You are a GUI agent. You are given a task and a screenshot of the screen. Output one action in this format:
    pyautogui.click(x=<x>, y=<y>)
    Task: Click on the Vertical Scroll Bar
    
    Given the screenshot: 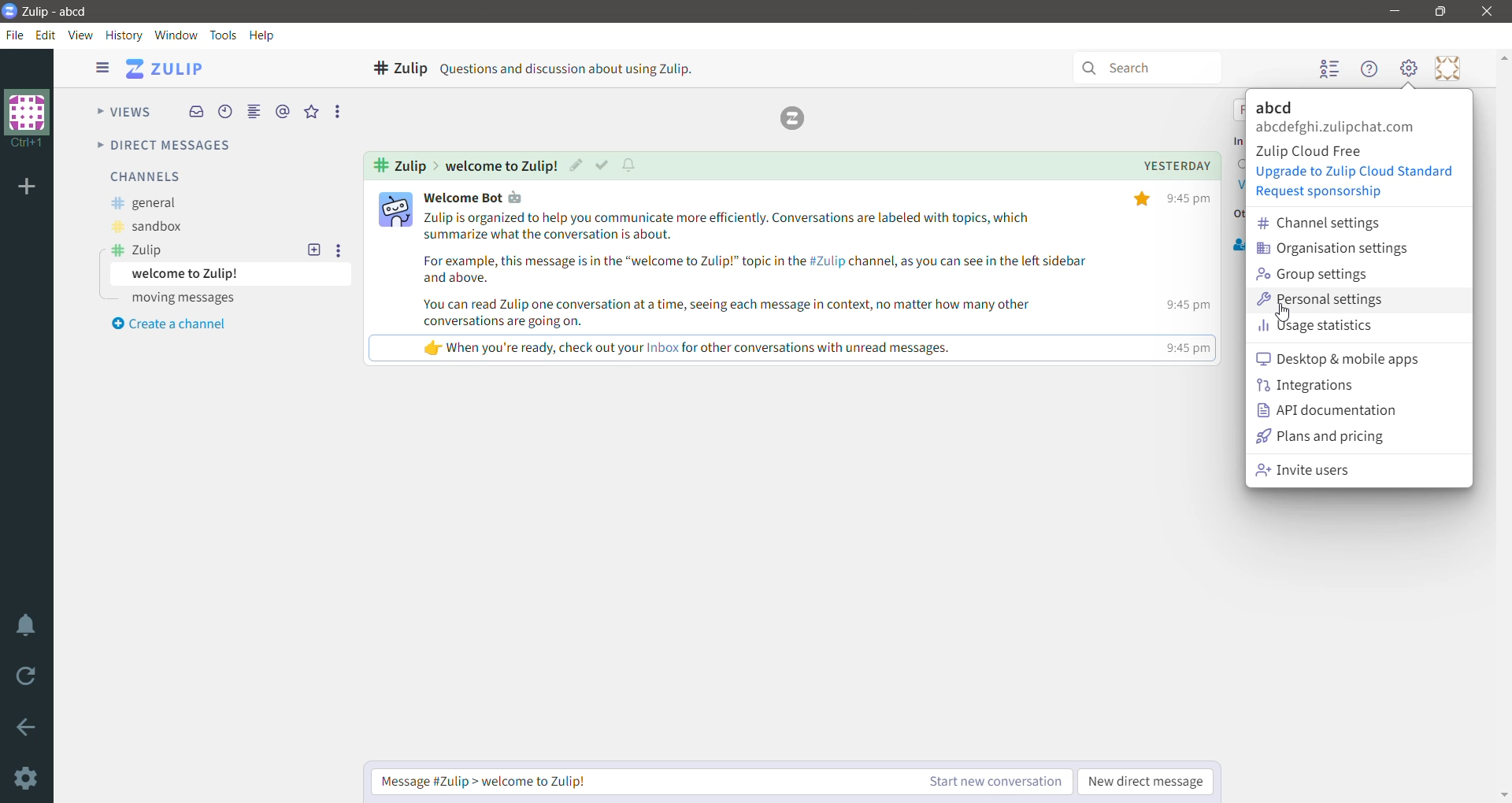 What is the action you would take?
    pyautogui.click(x=1503, y=426)
    